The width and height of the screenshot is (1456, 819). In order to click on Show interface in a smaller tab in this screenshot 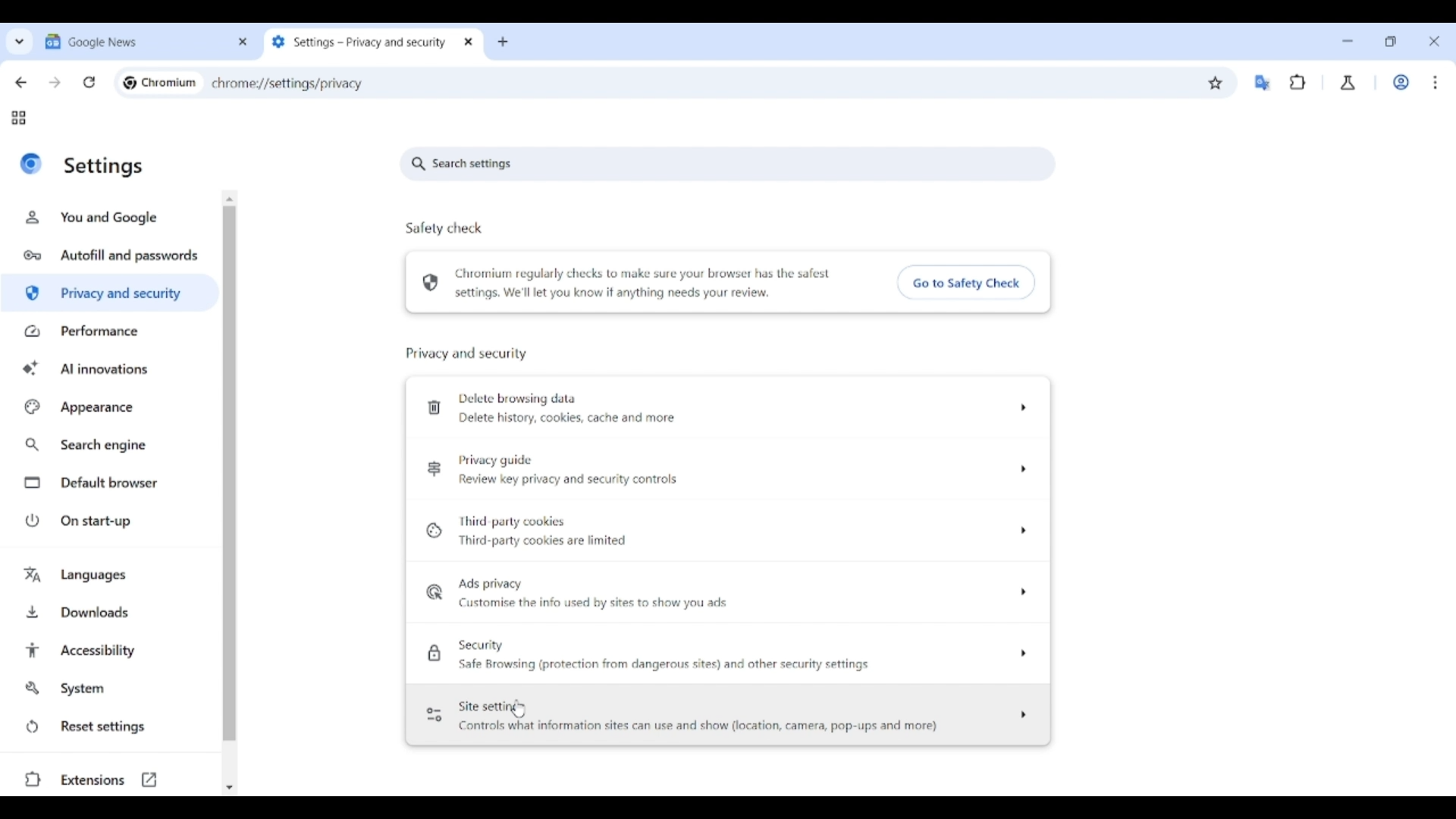, I will do `click(1390, 42)`.